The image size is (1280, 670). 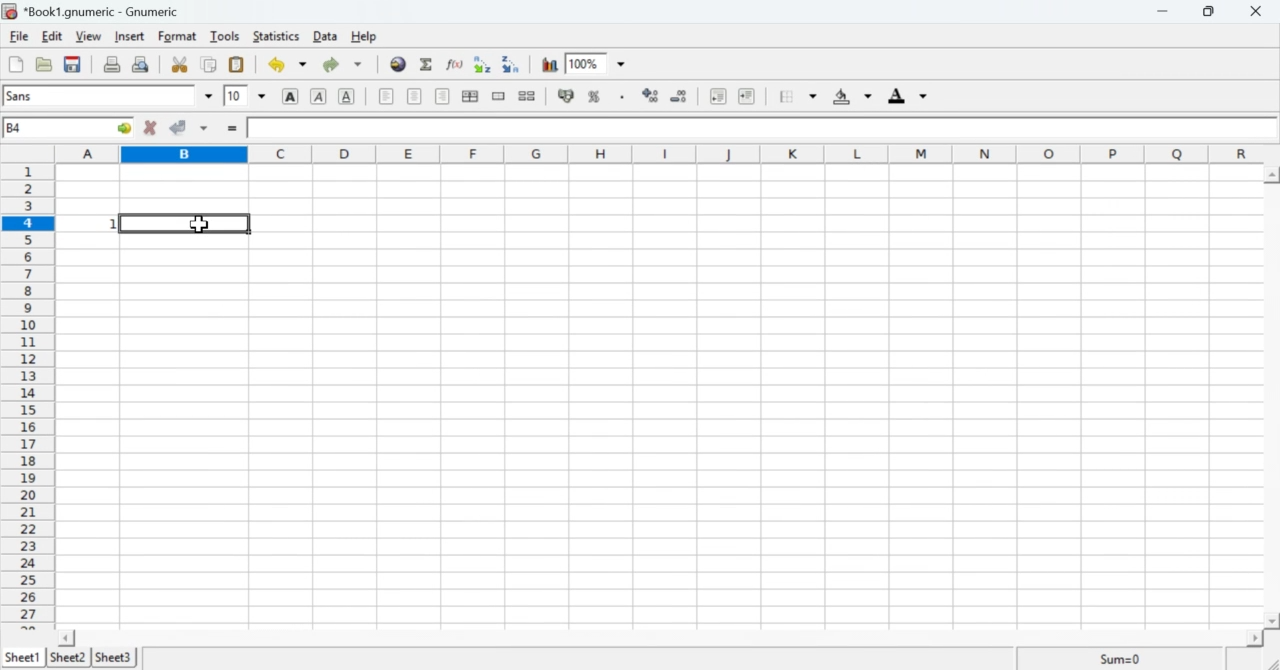 What do you see at coordinates (678, 96) in the screenshot?
I see `Sort by descending` at bounding box center [678, 96].